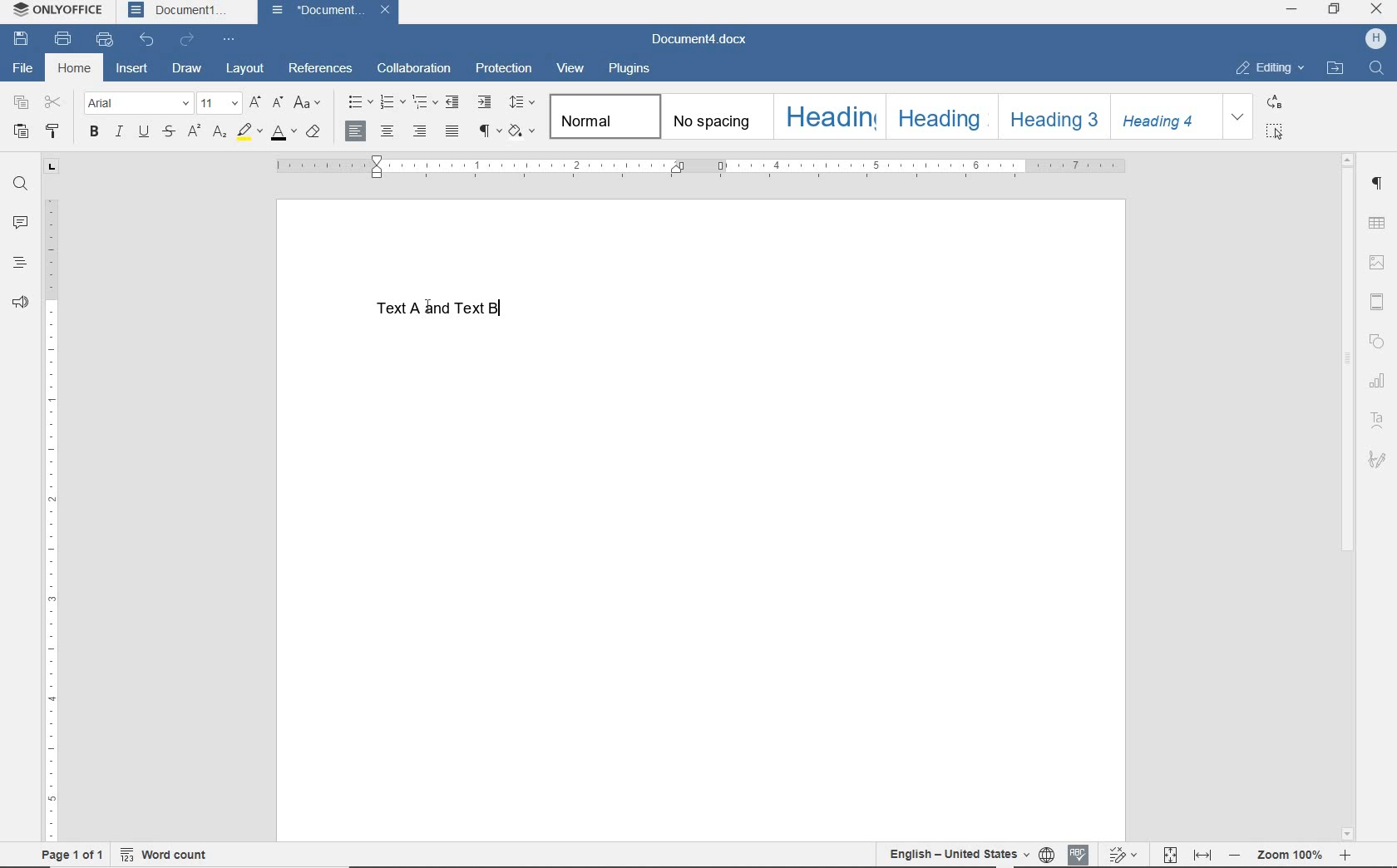 The image size is (1397, 868). I want to click on FIND, so click(1379, 70).